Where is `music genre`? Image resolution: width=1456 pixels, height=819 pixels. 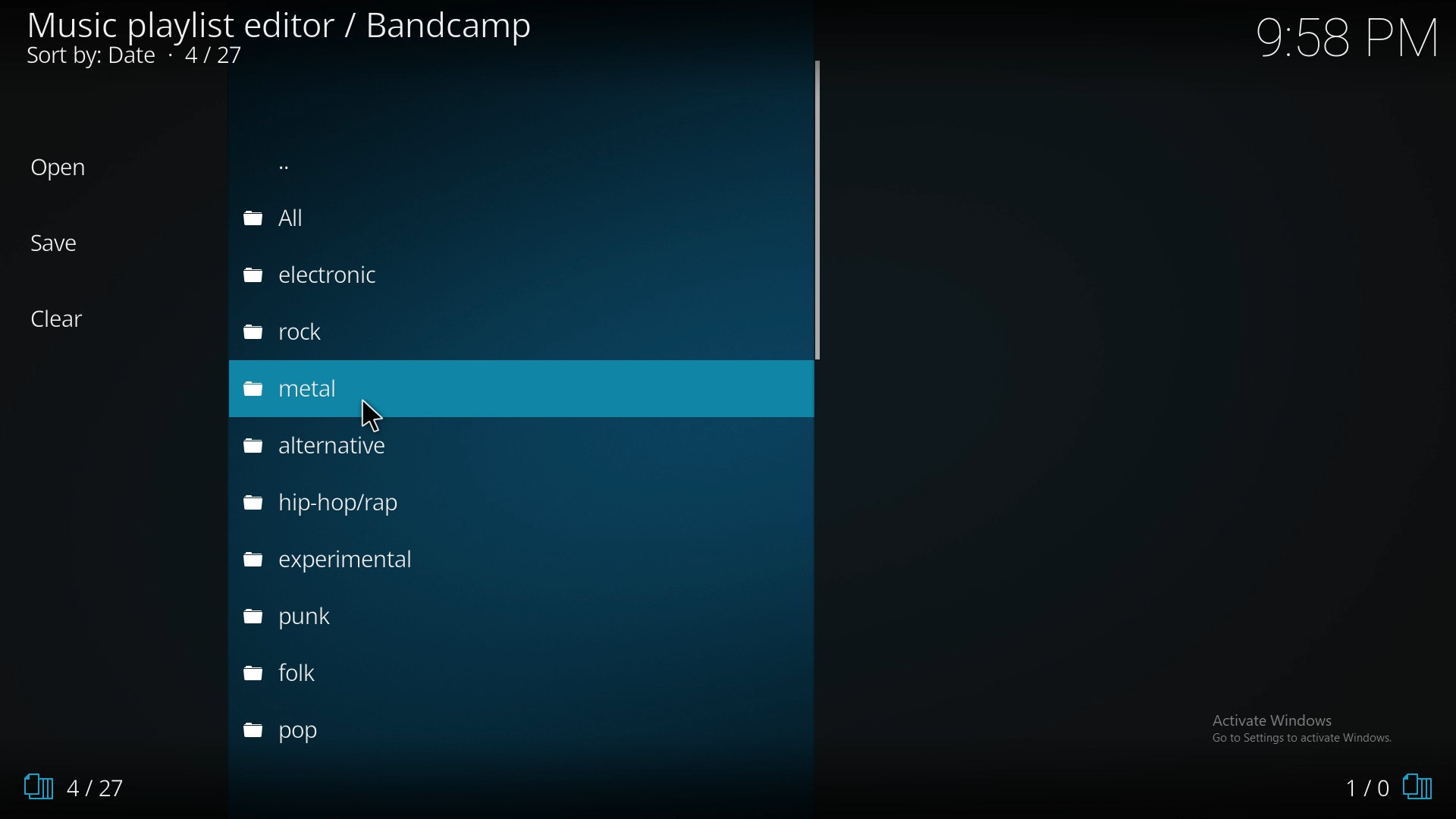 music genre is located at coordinates (388, 388).